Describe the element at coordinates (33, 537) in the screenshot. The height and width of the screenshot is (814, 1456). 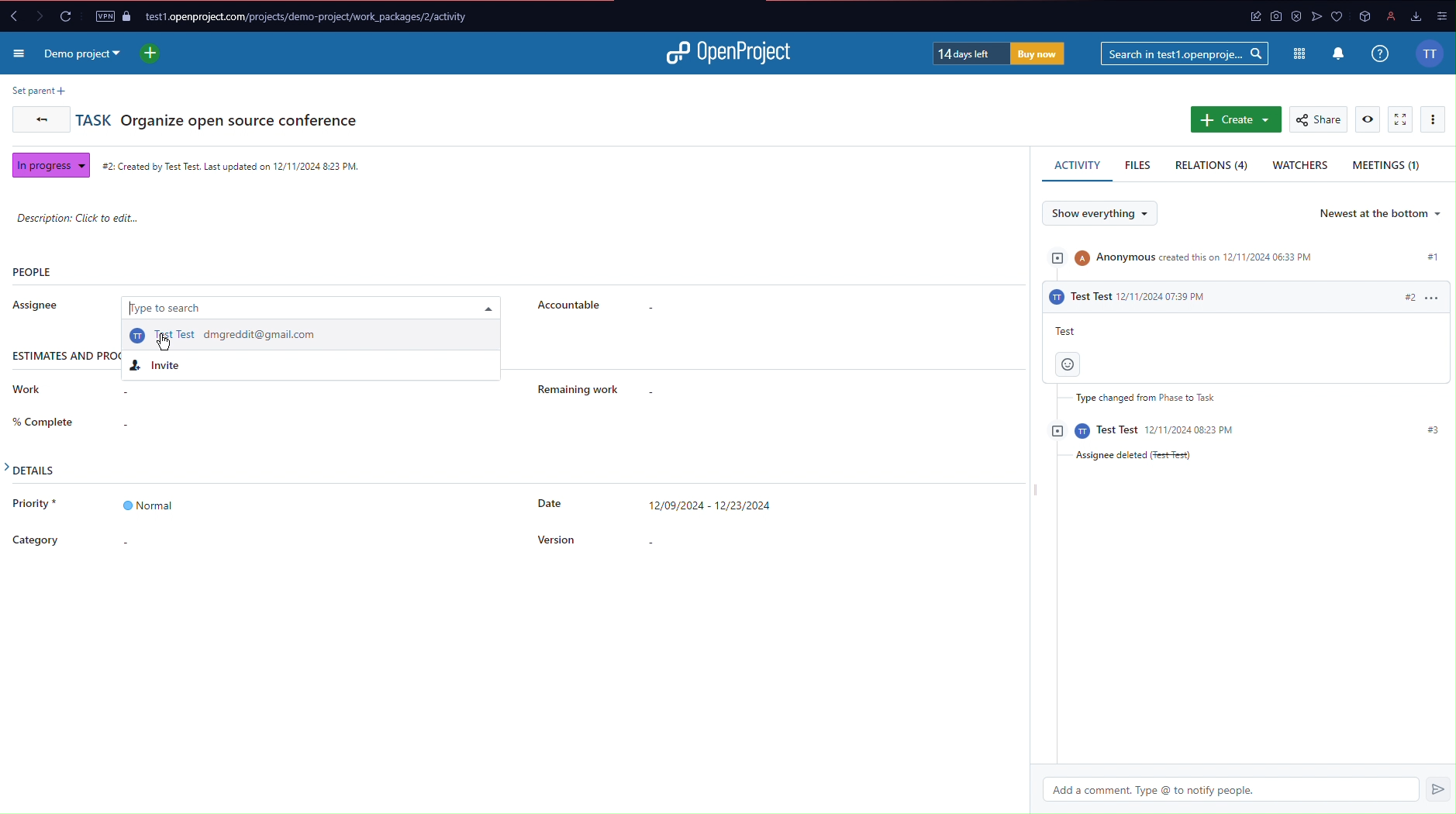
I see `Category` at that location.